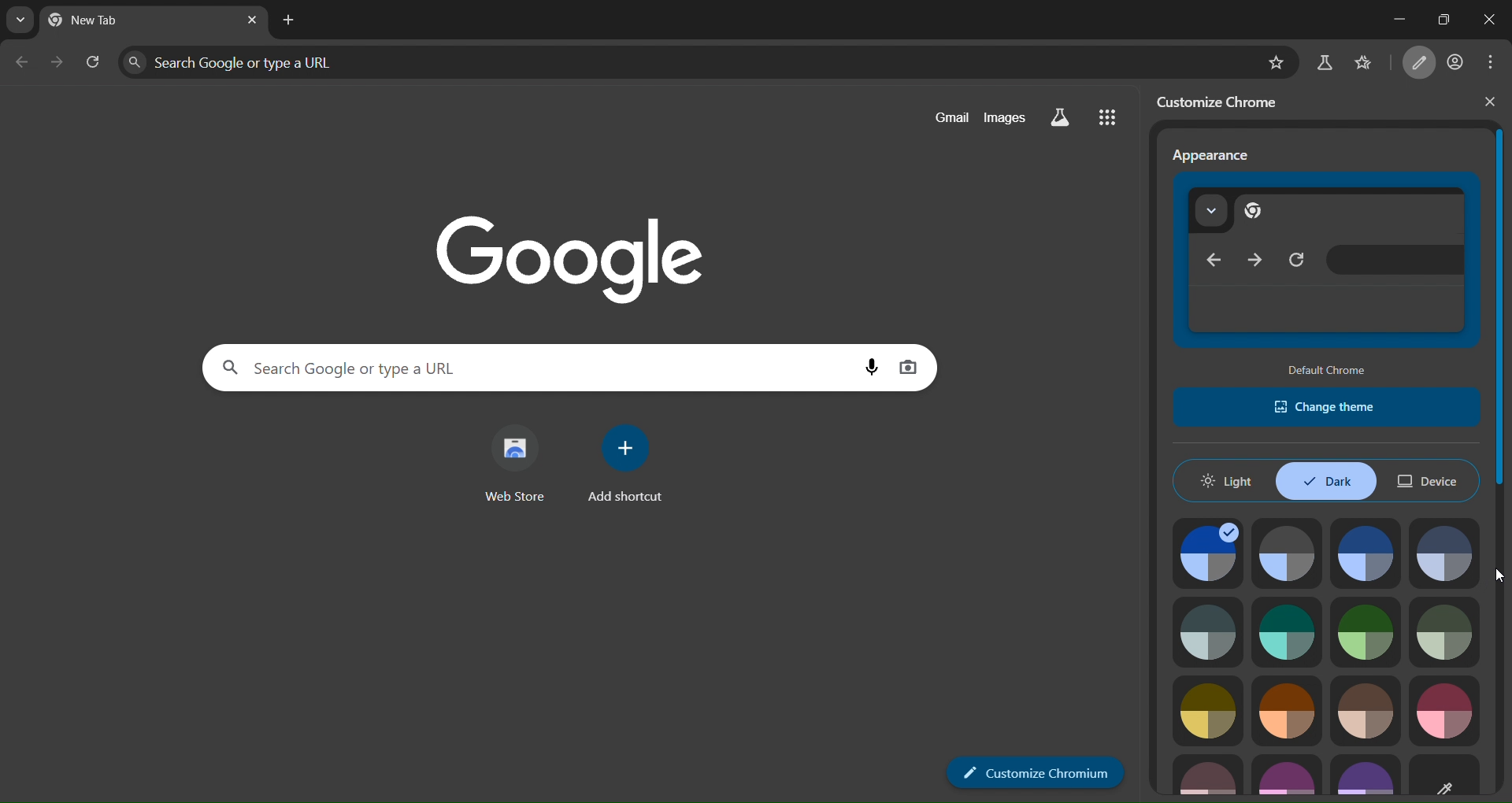  I want to click on search panel, so click(480, 367).